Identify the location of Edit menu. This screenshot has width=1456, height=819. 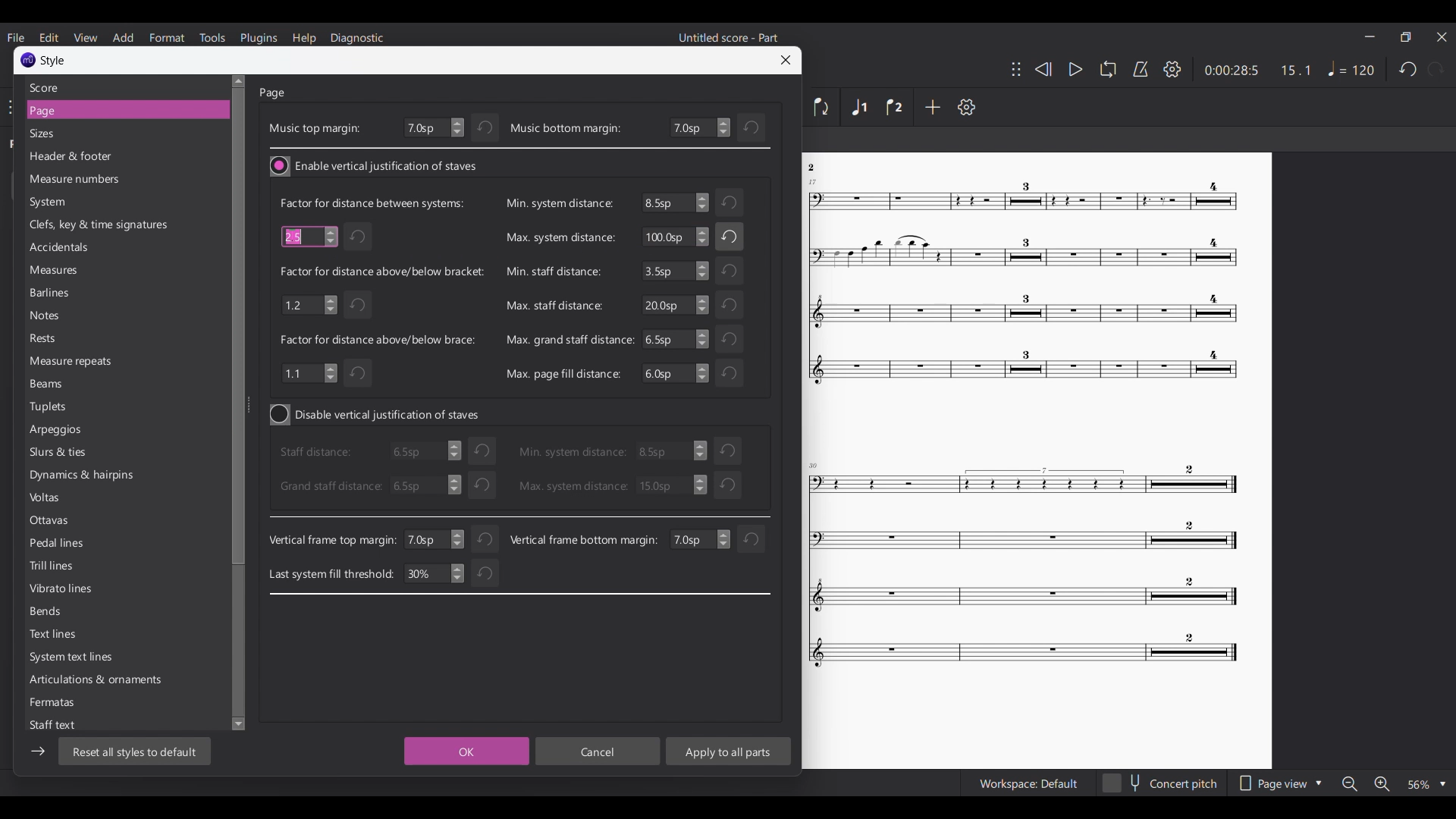
(49, 36).